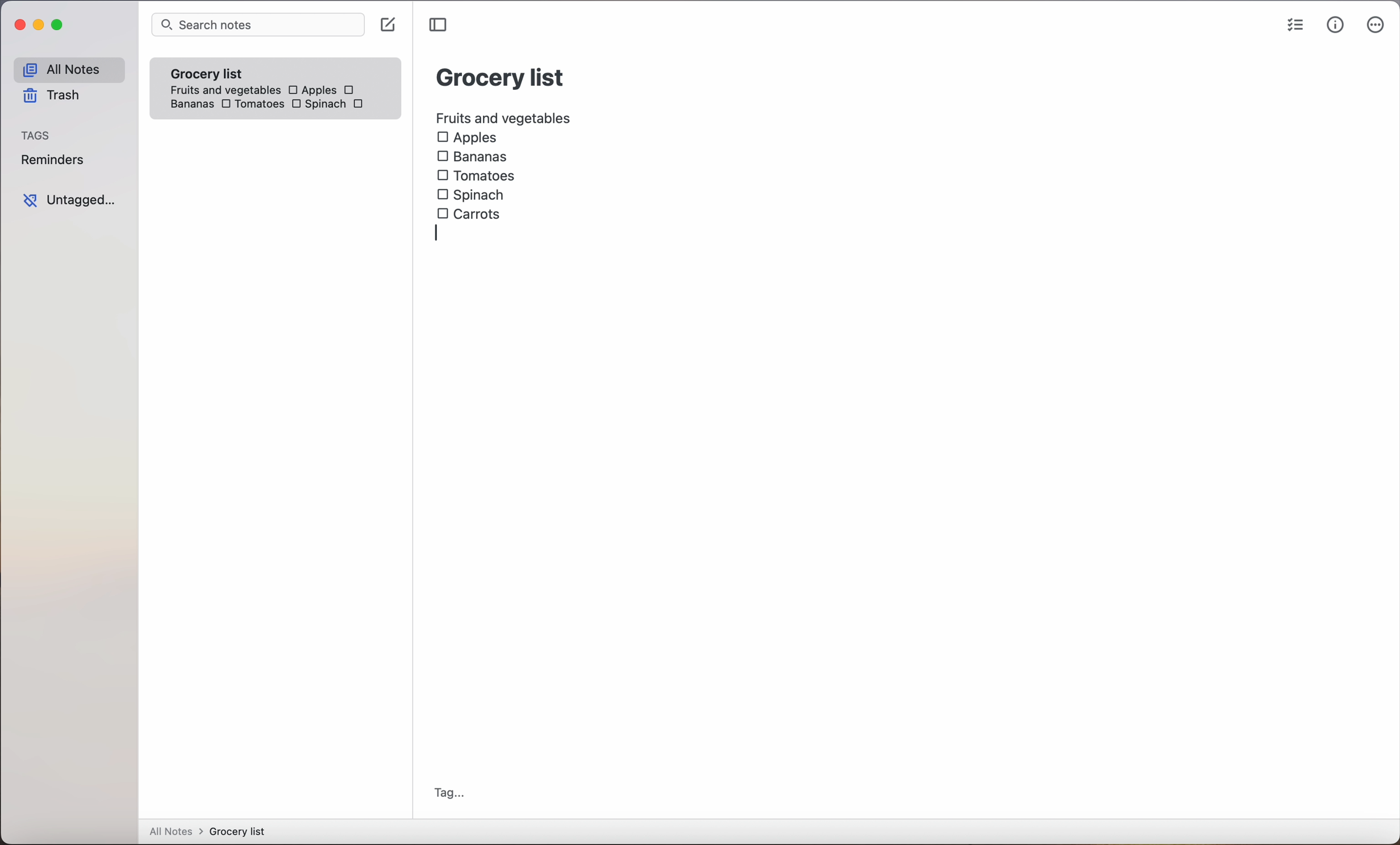 The image size is (1400, 845). I want to click on Apples checkbox, so click(311, 90).